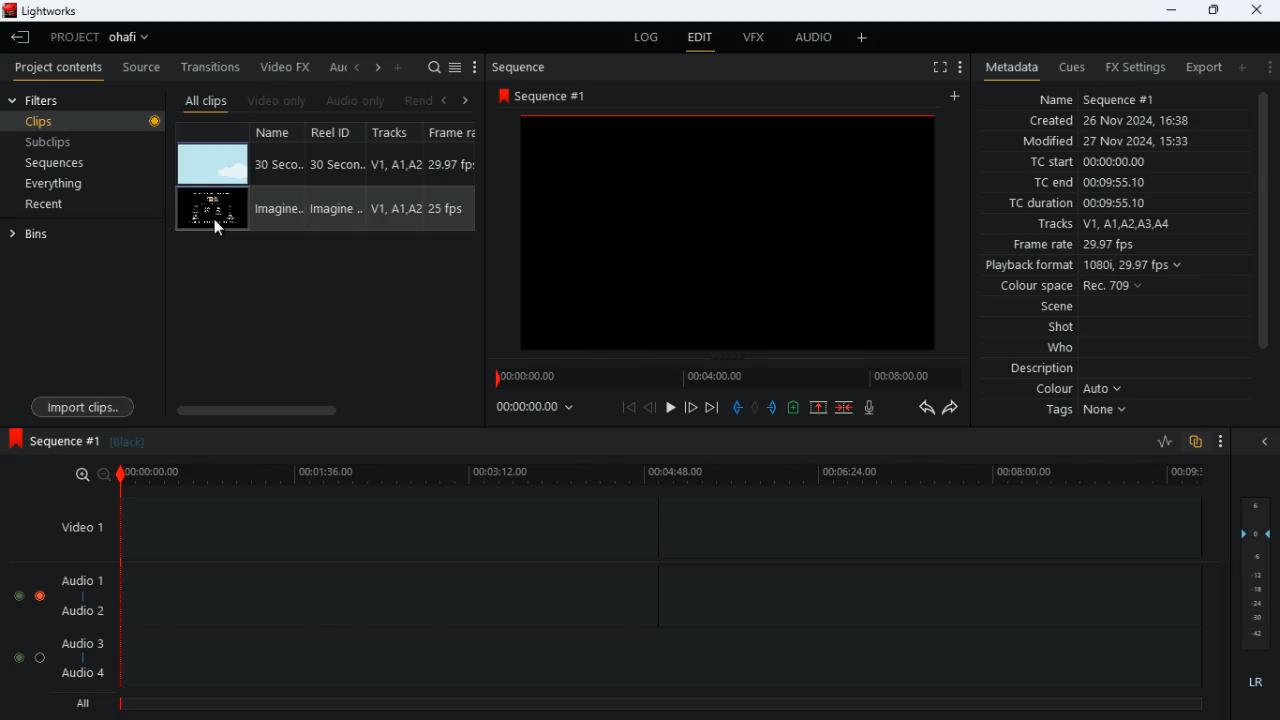  I want to click on audio 3, so click(84, 644).